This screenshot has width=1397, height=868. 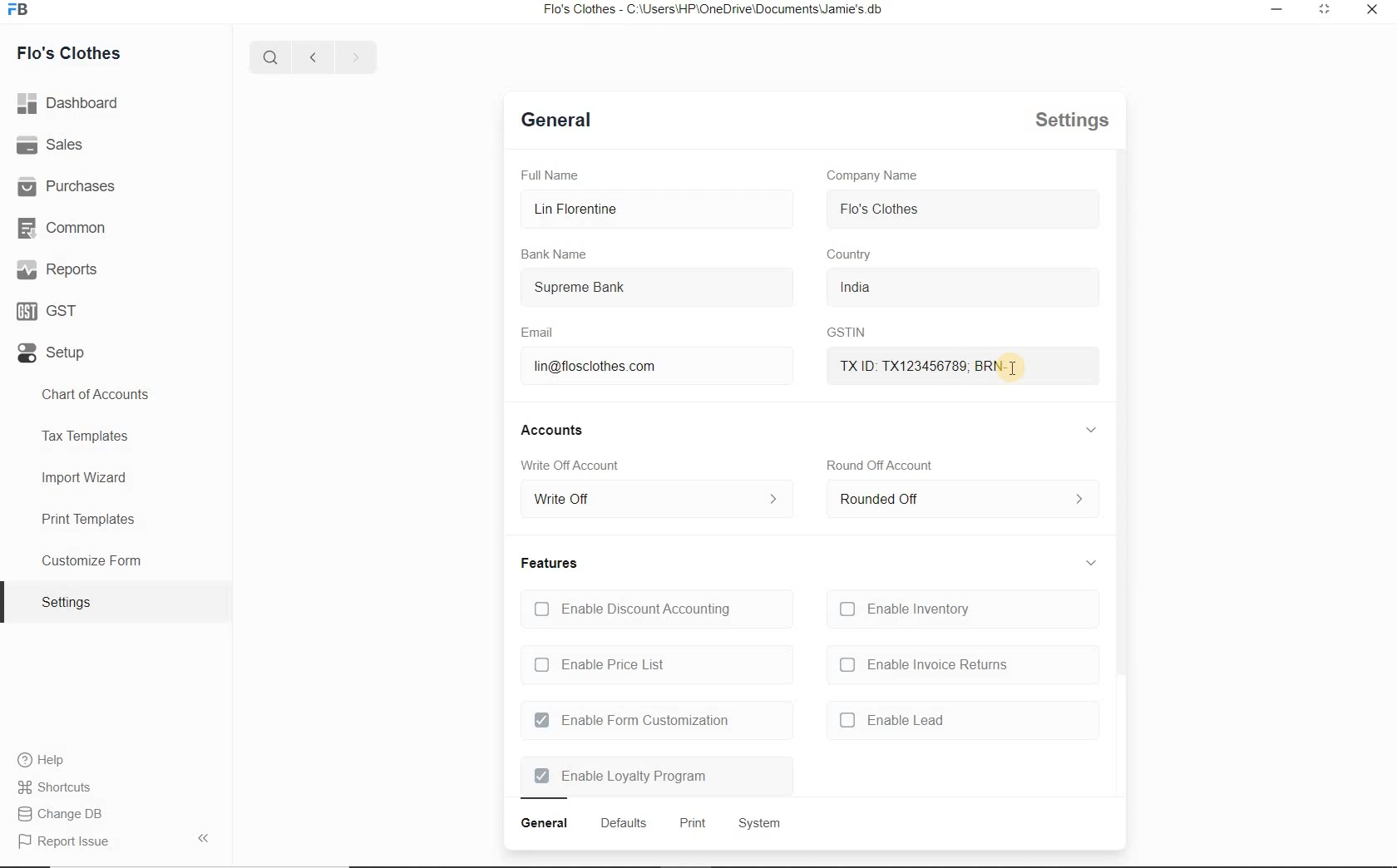 I want to click on Tax Templates, so click(x=87, y=437).